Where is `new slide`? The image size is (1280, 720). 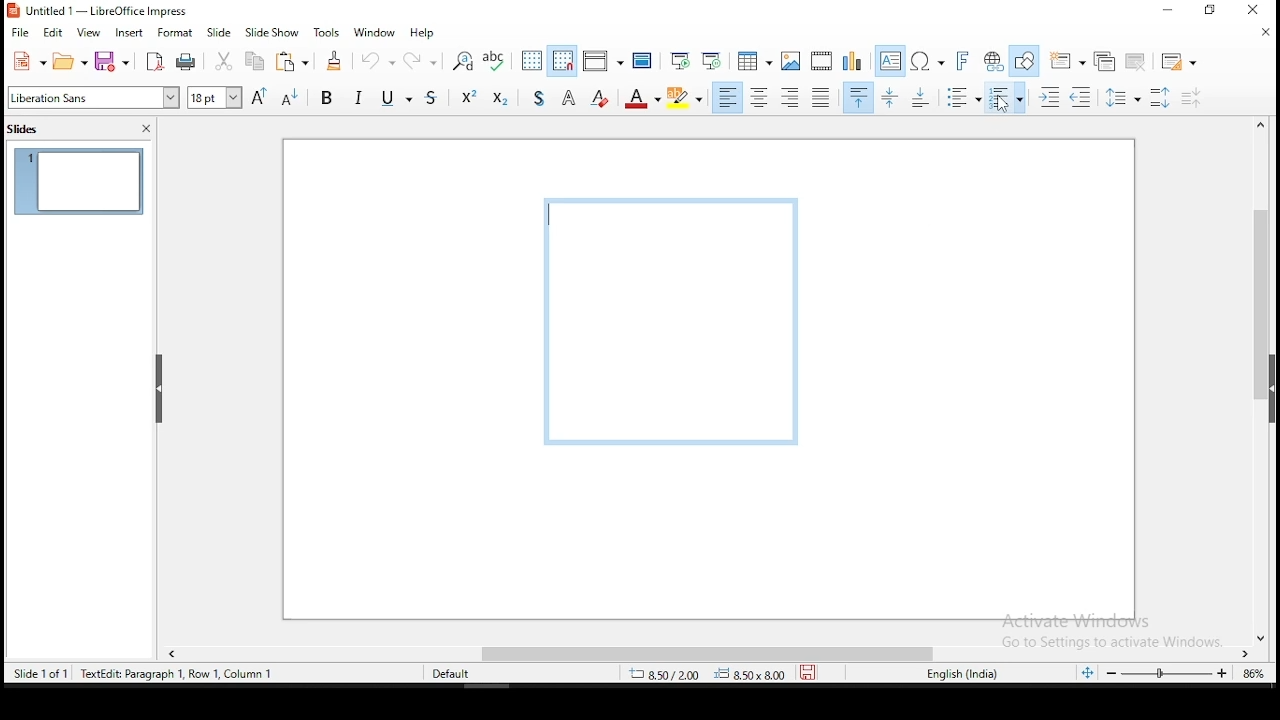 new slide is located at coordinates (1066, 60).